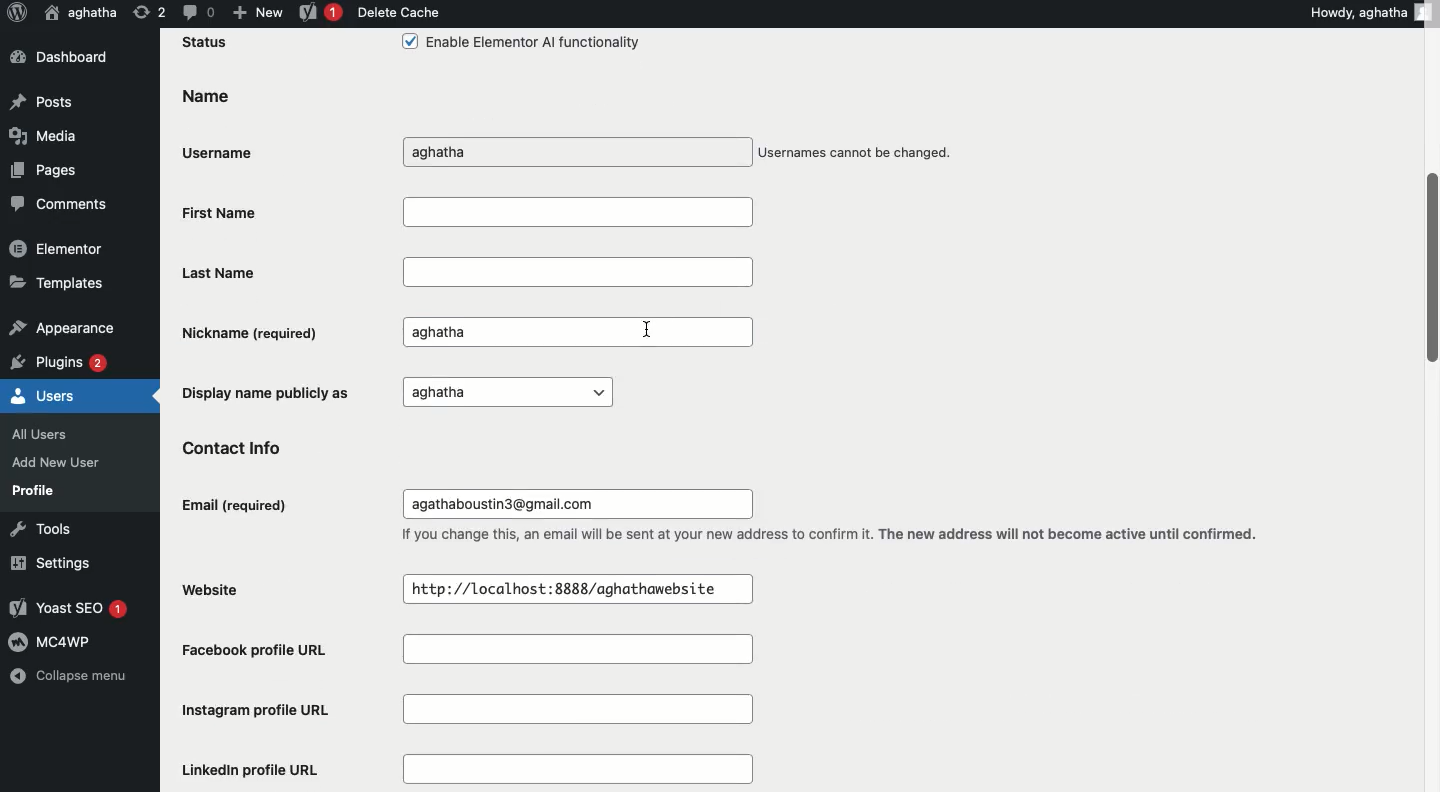 This screenshot has height=792, width=1440. Describe the element at coordinates (464, 588) in the screenshot. I see `Website` at that location.